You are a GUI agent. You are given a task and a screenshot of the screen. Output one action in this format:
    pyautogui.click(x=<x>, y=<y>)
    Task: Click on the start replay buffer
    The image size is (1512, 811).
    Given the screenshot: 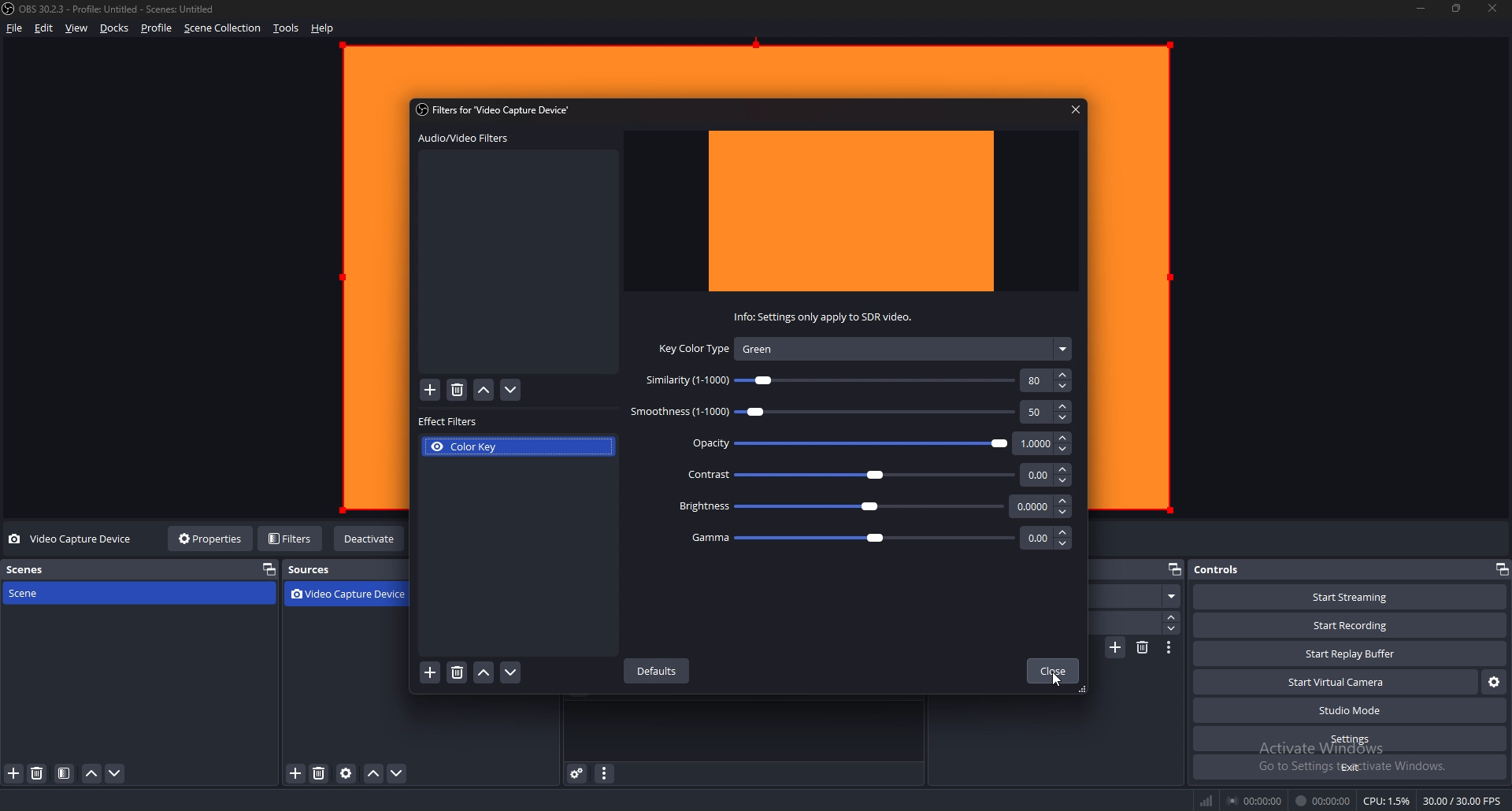 What is the action you would take?
    pyautogui.click(x=1351, y=653)
    